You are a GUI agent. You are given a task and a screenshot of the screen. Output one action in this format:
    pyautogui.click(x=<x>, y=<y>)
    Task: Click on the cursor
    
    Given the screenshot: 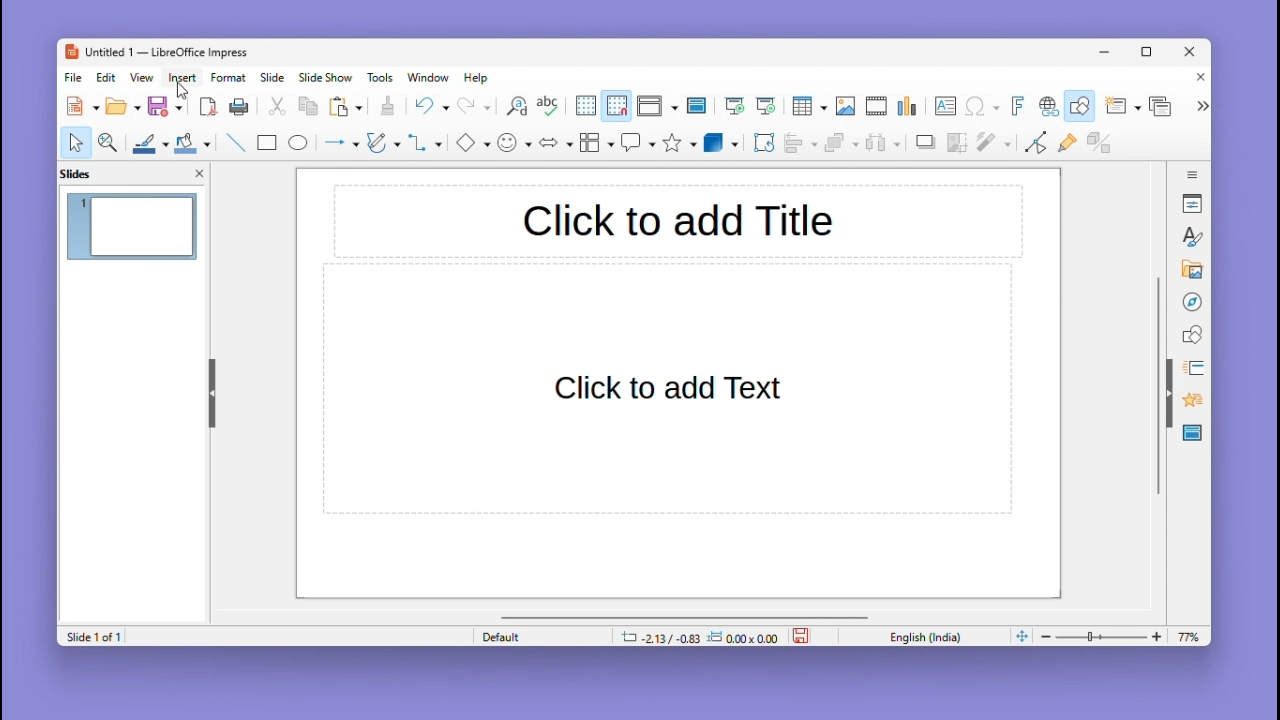 What is the action you would take?
    pyautogui.click(x=184, y=92)
    